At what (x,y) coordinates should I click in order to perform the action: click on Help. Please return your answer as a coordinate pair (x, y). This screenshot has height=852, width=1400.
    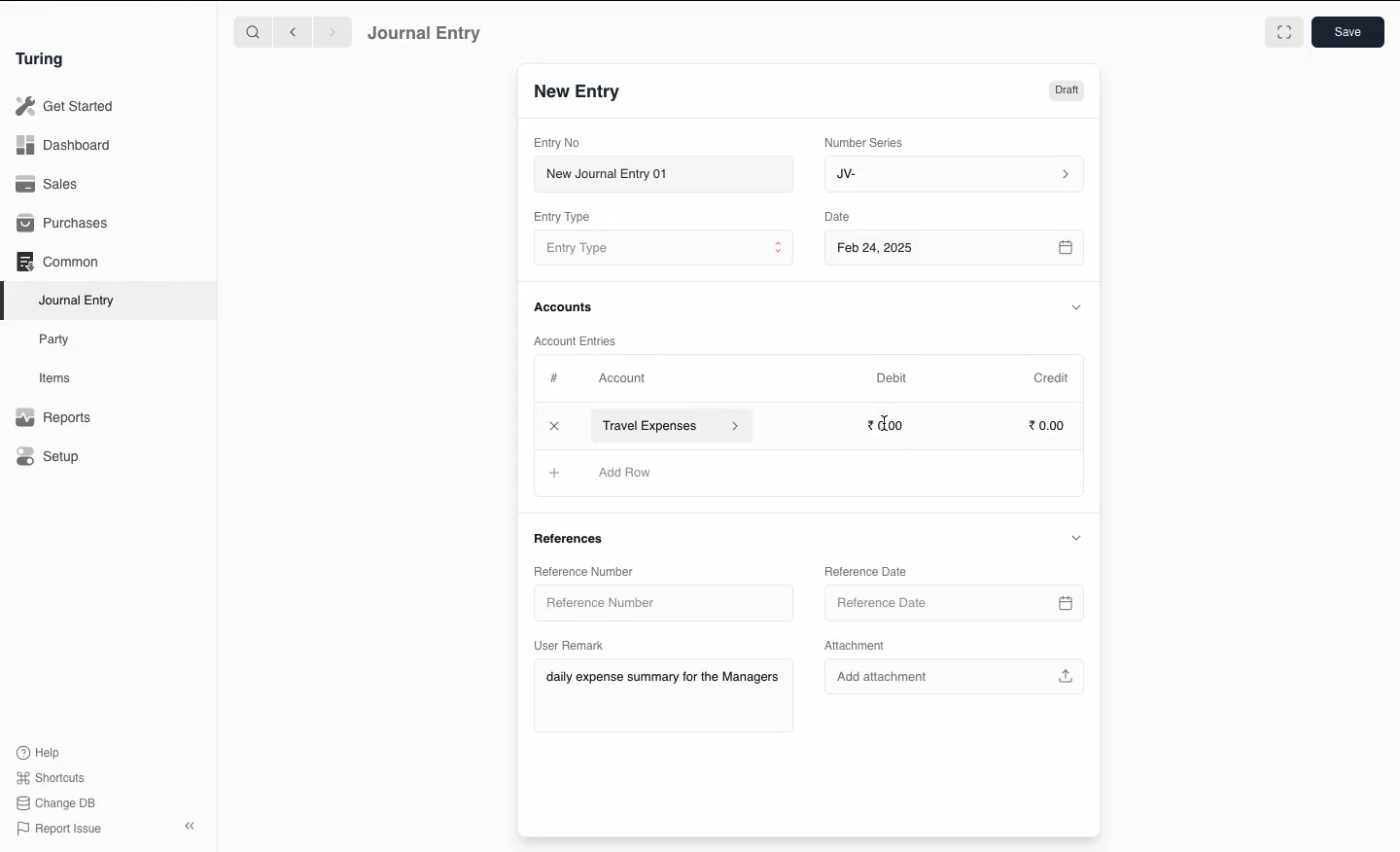
    Looking at the image, I should click on (39, 753).